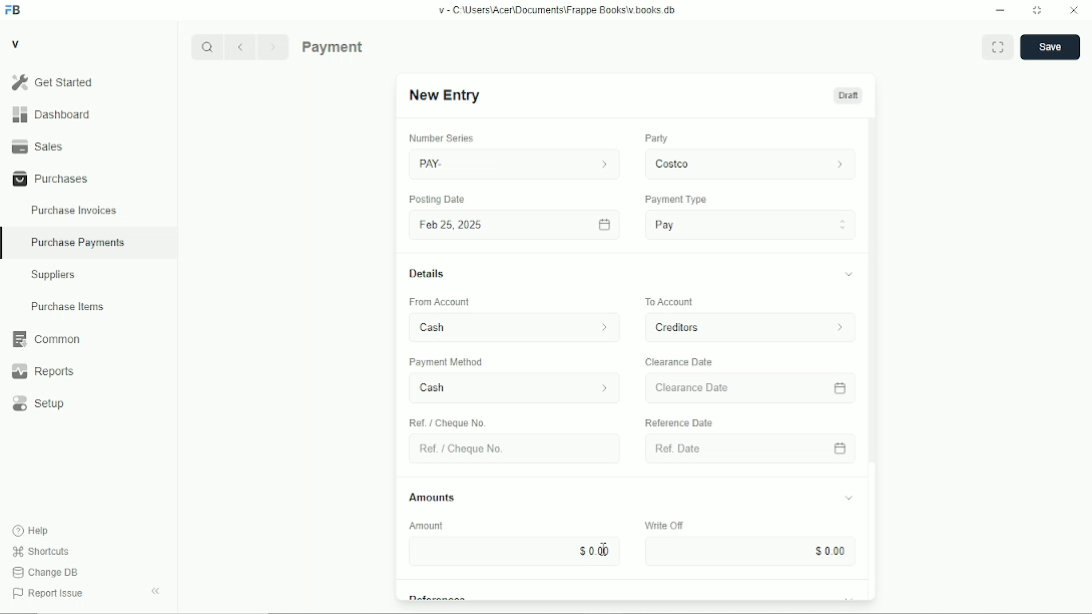 The height and width of the screenshot is (614, 1092). What do you see at coordinates (41, 552) in the screenshot?
I see `Shortcuts` at bounding box center [41, 552].